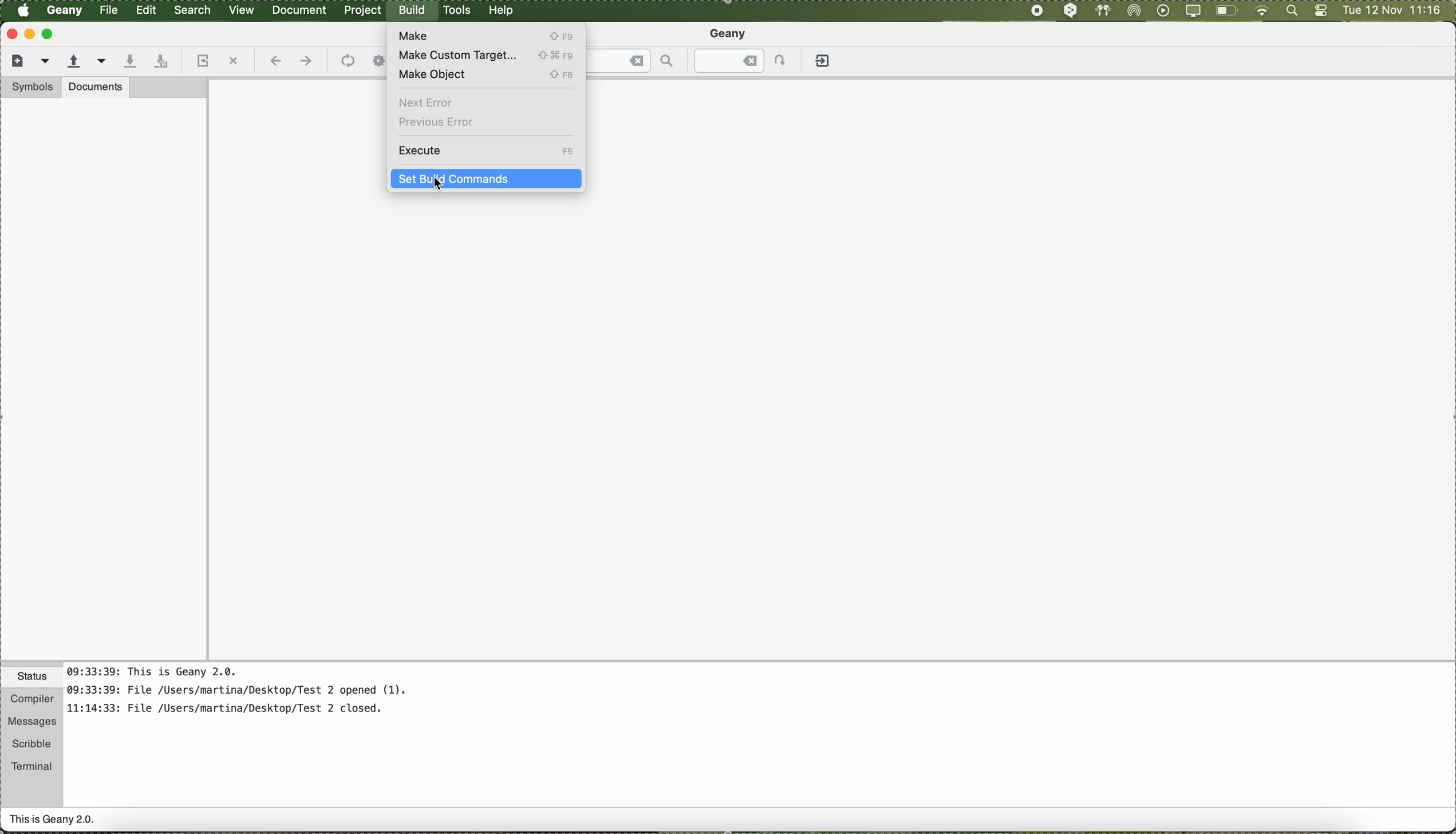  I want to click on icon, so click(346, 62).